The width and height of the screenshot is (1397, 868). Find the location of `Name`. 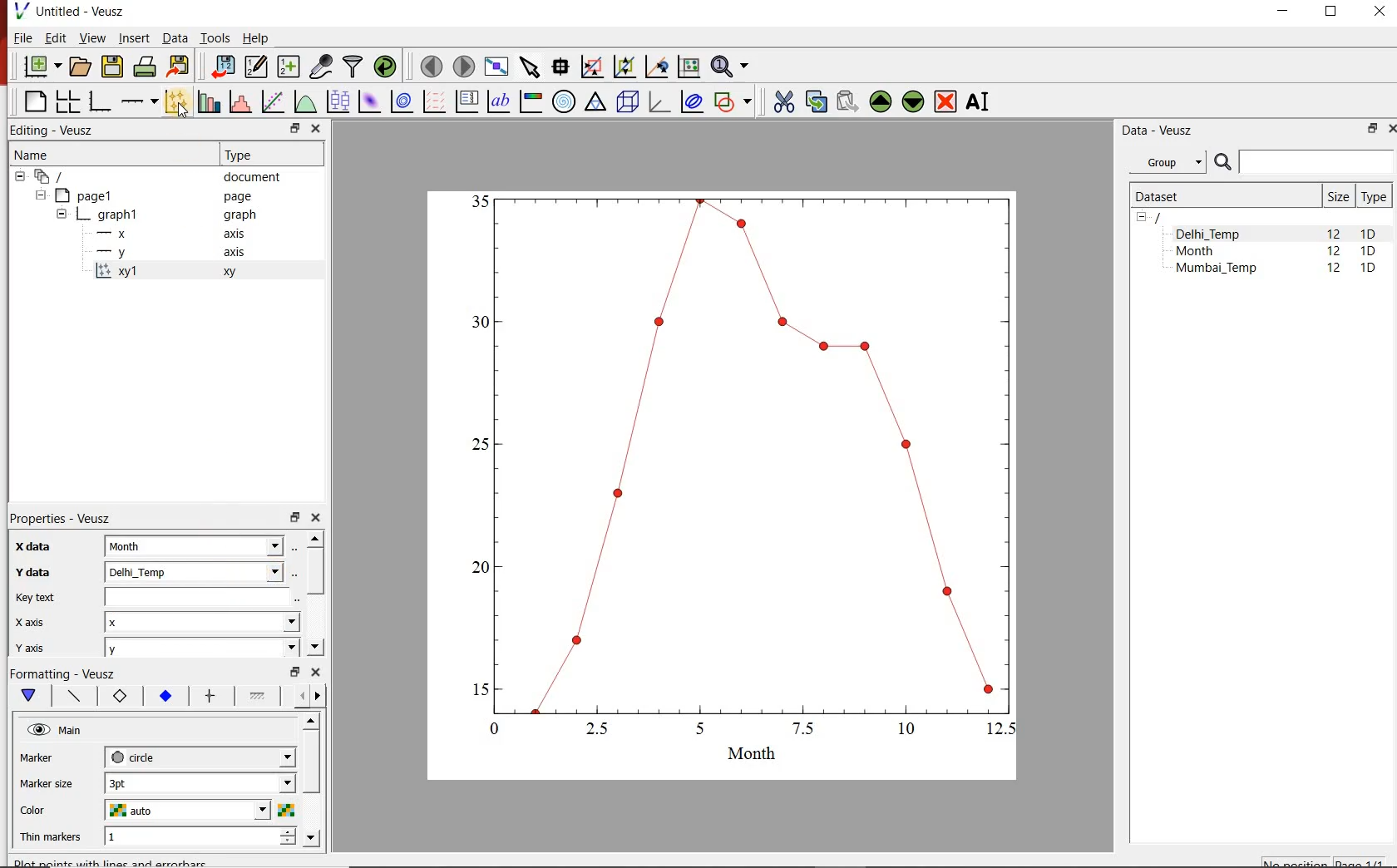

Name is located at coordinates (33, 154).